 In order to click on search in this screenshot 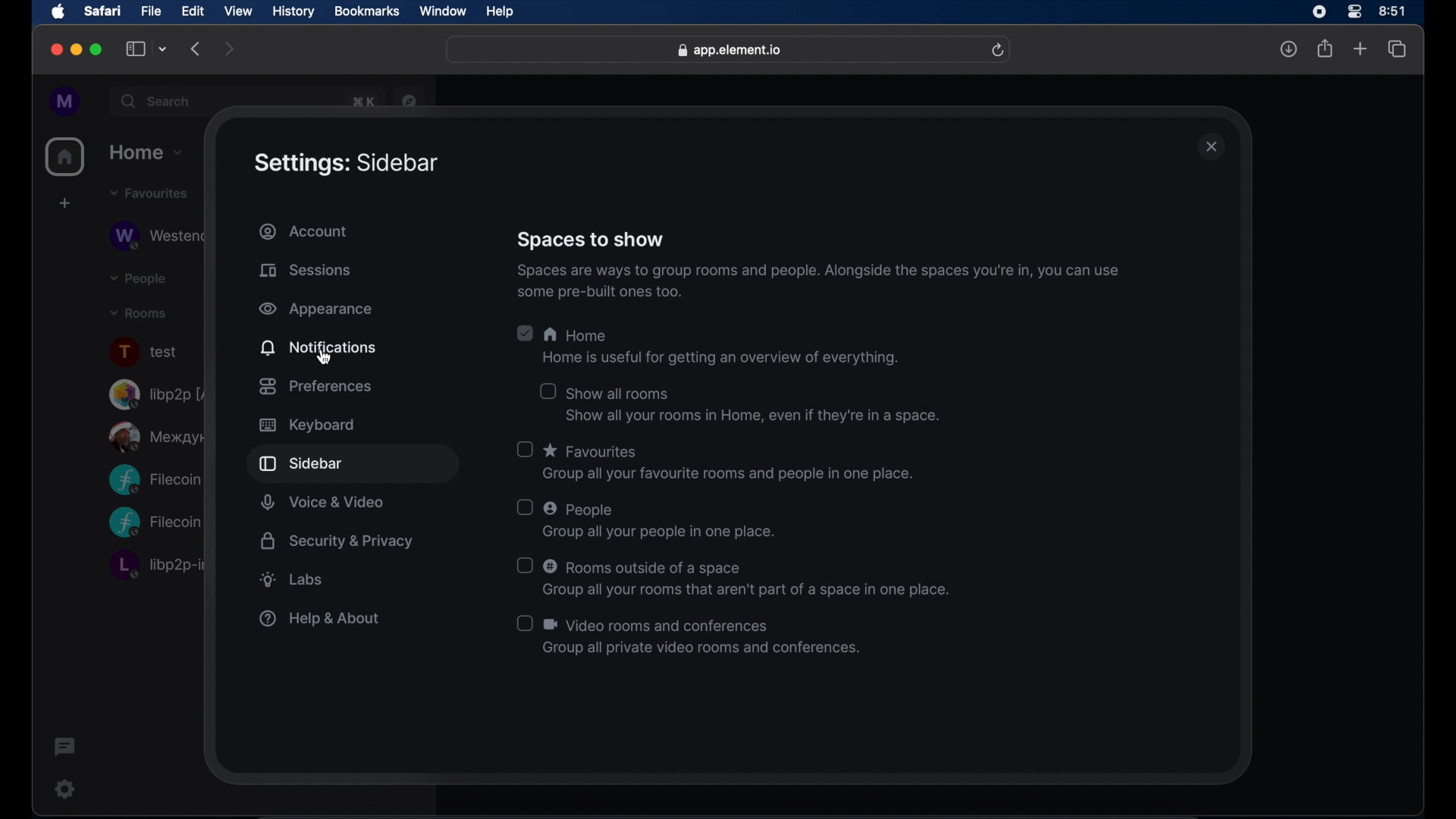, I will do `click(155, 102)`.